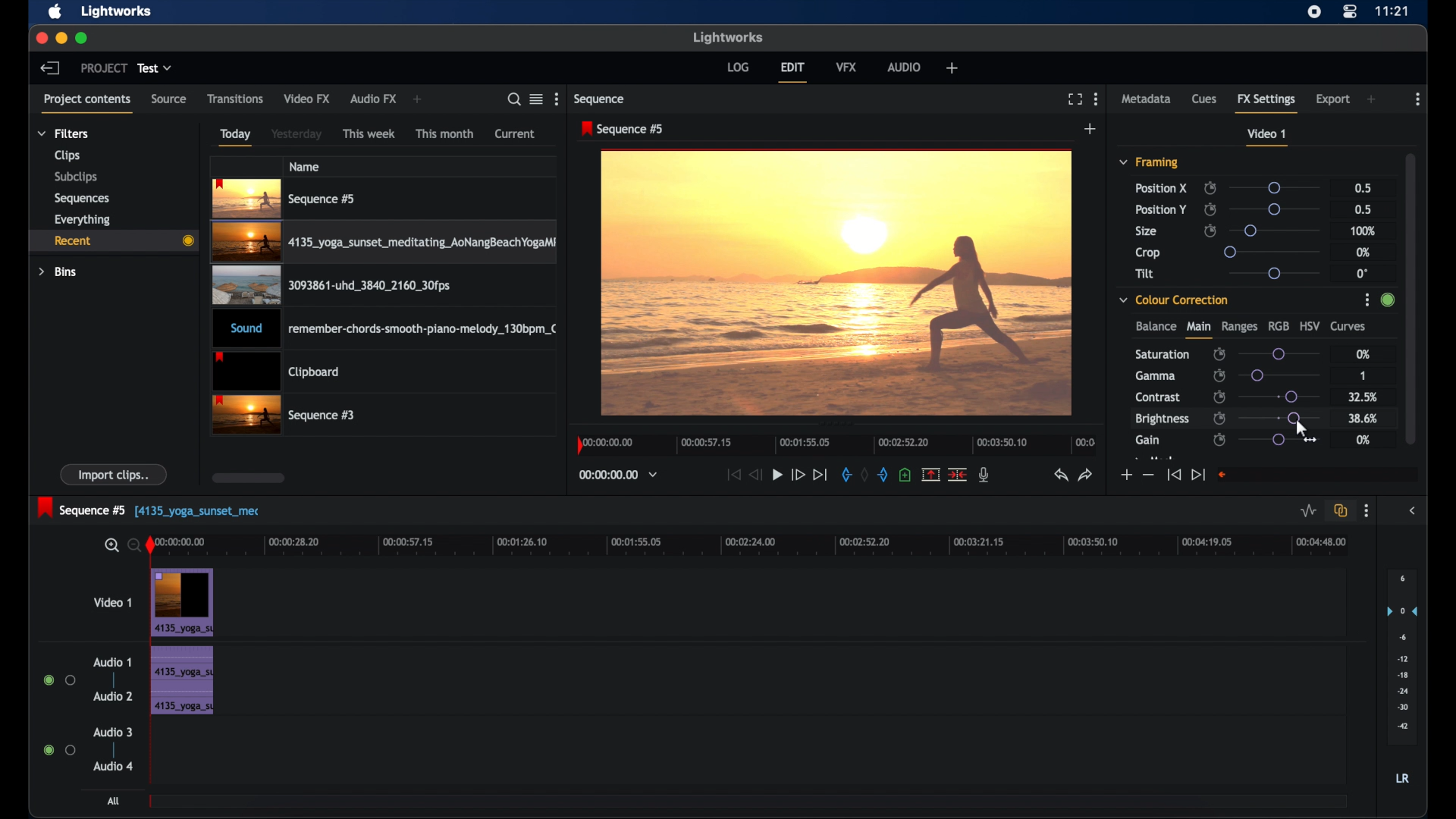  What do you see at coordinates (1361, 419) in the screenshot?
I see `38.6%` at bounding box center [1361, 419].